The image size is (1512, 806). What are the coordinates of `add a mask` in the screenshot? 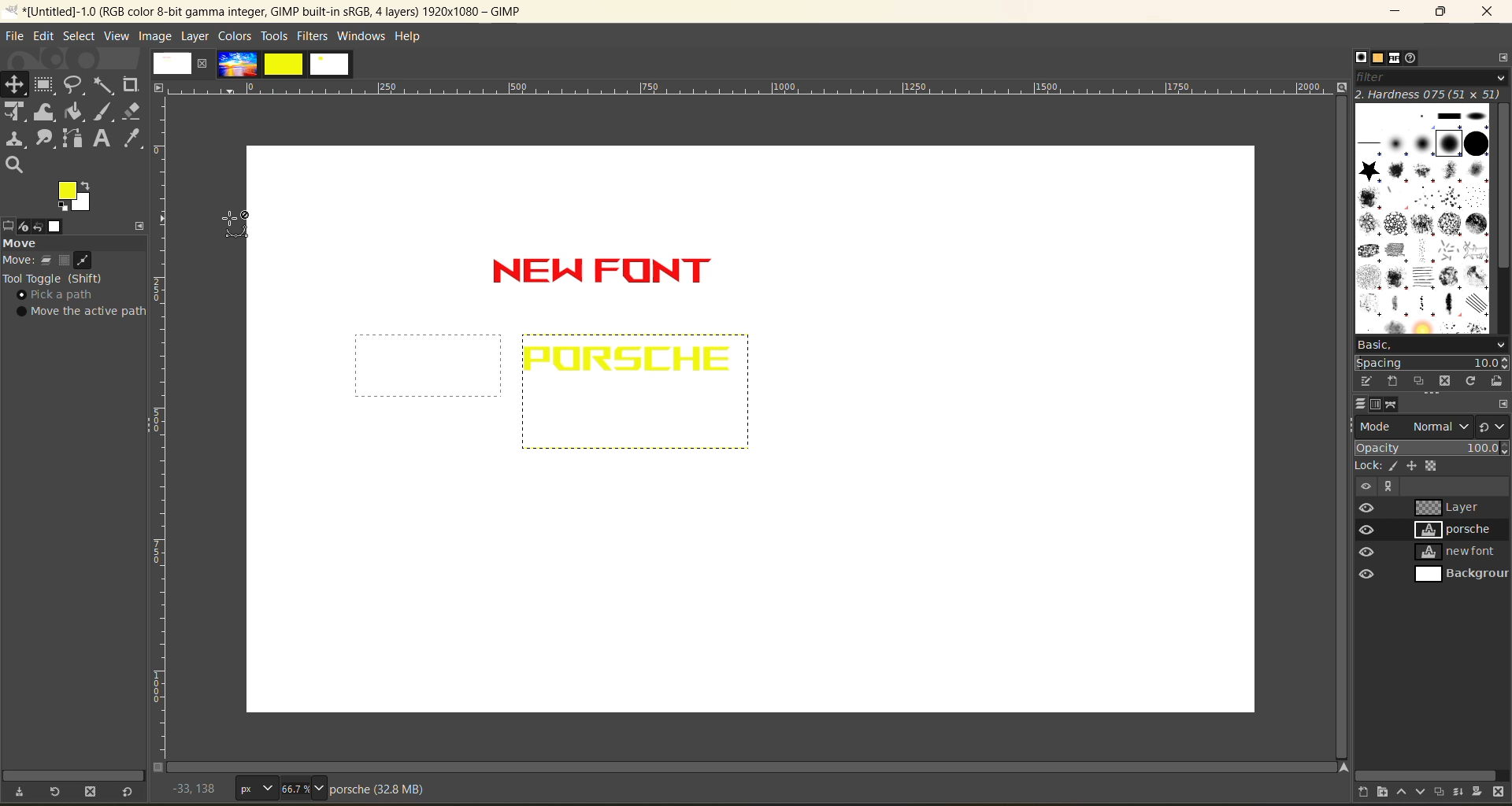 It's located at (1482, 790).